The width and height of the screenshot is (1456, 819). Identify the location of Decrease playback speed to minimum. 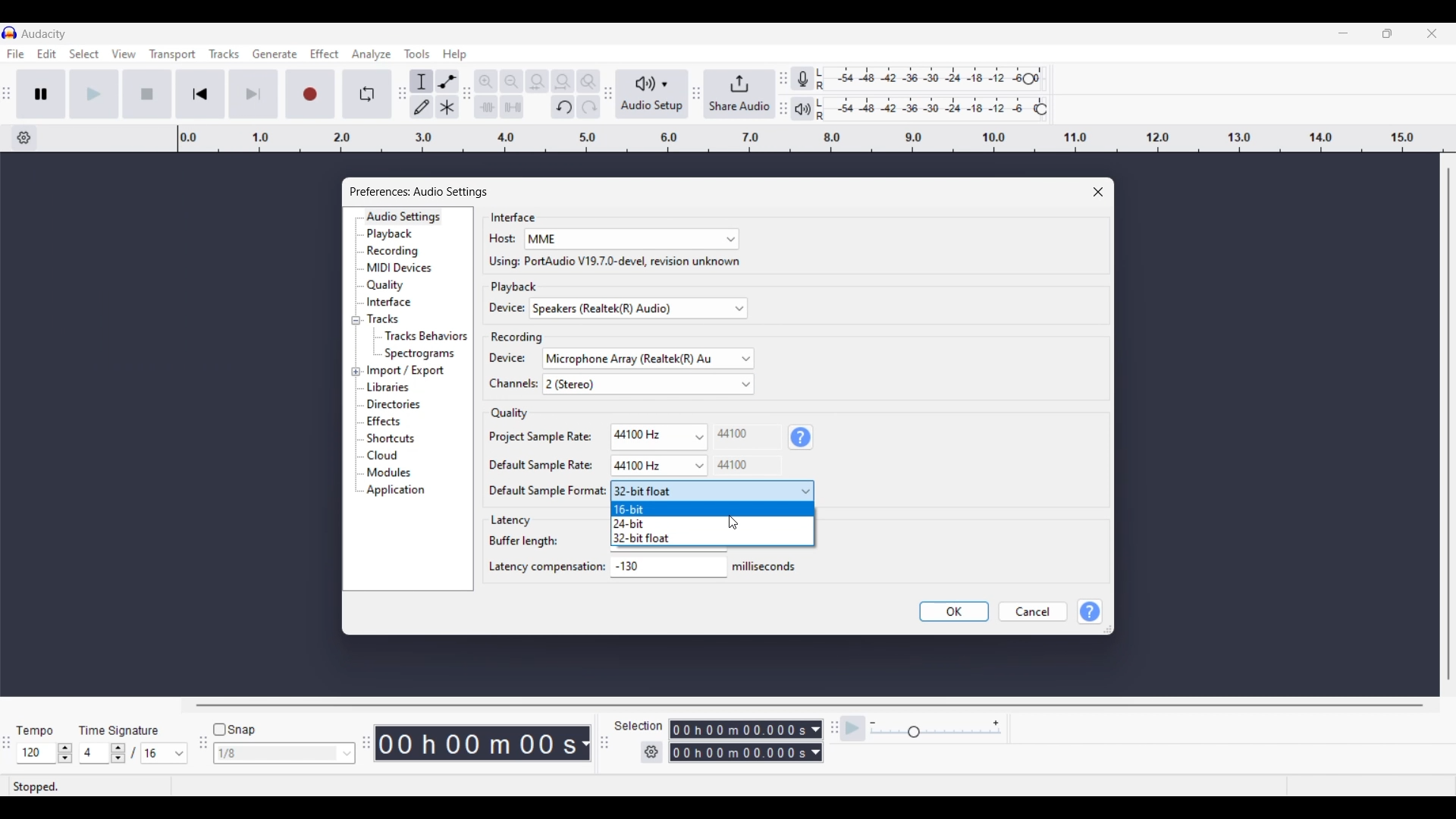
(873, 723).